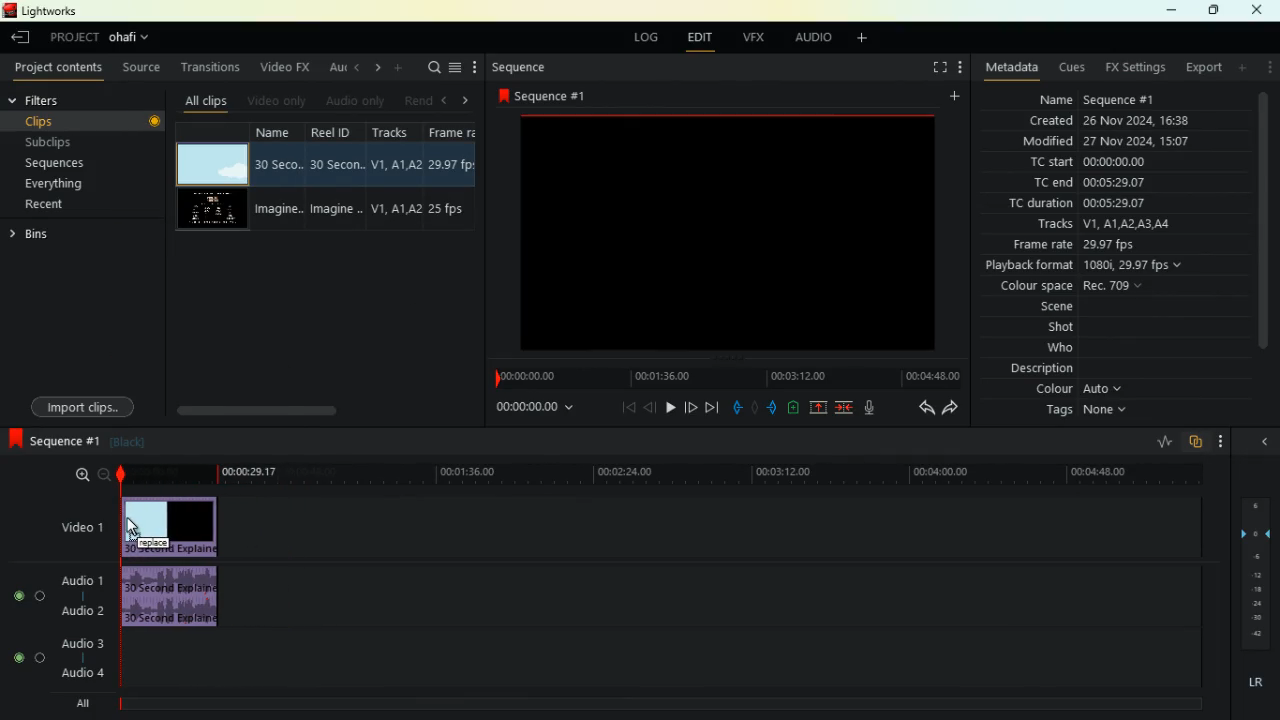 Image resolution: width=1280 pixels, height=720 pixels. Describe the element at coordinates (74, 702) in the screenshot. I see `All` at that location.